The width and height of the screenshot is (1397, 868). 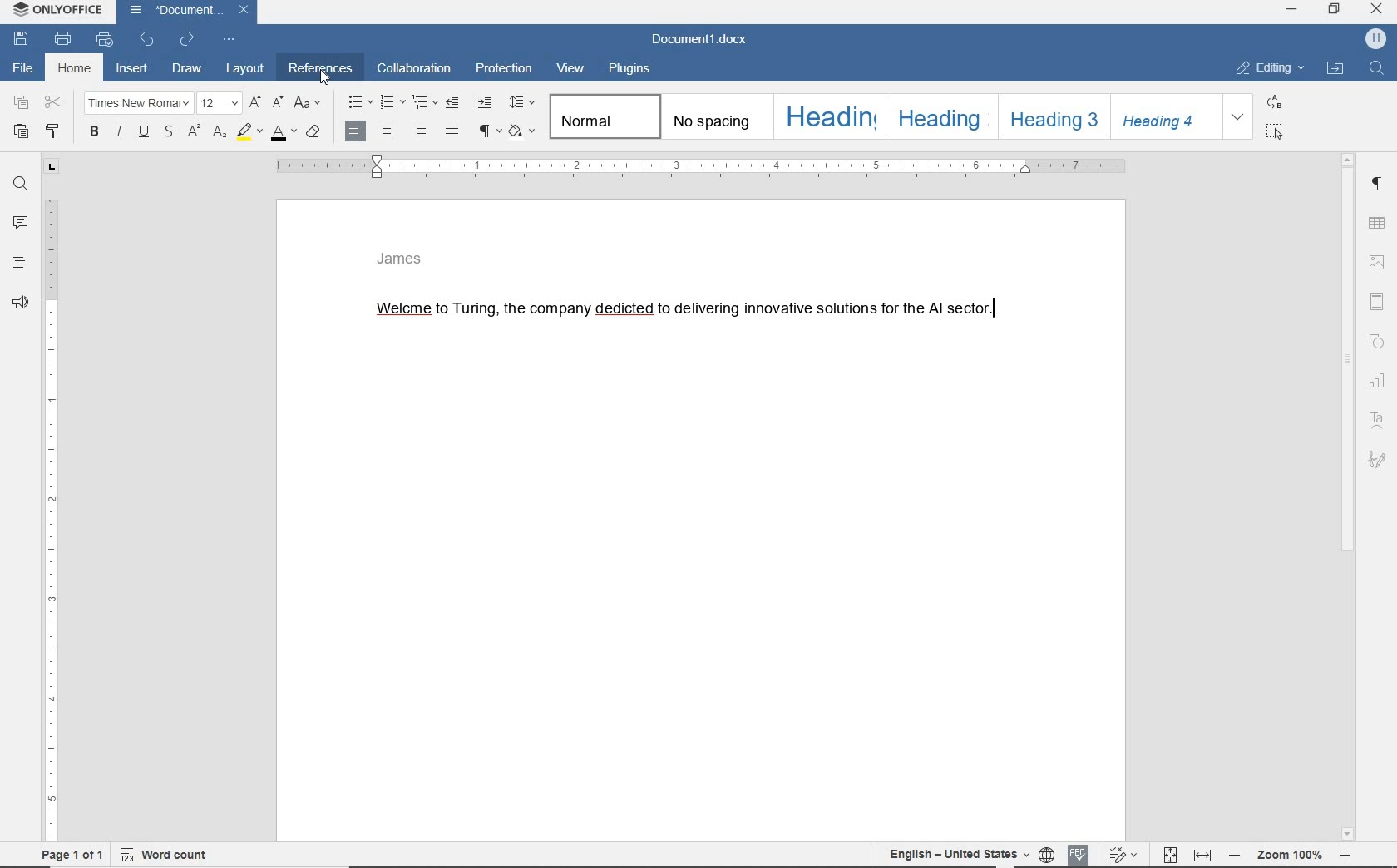 I want to click on layout, so click(x=245, y=70).